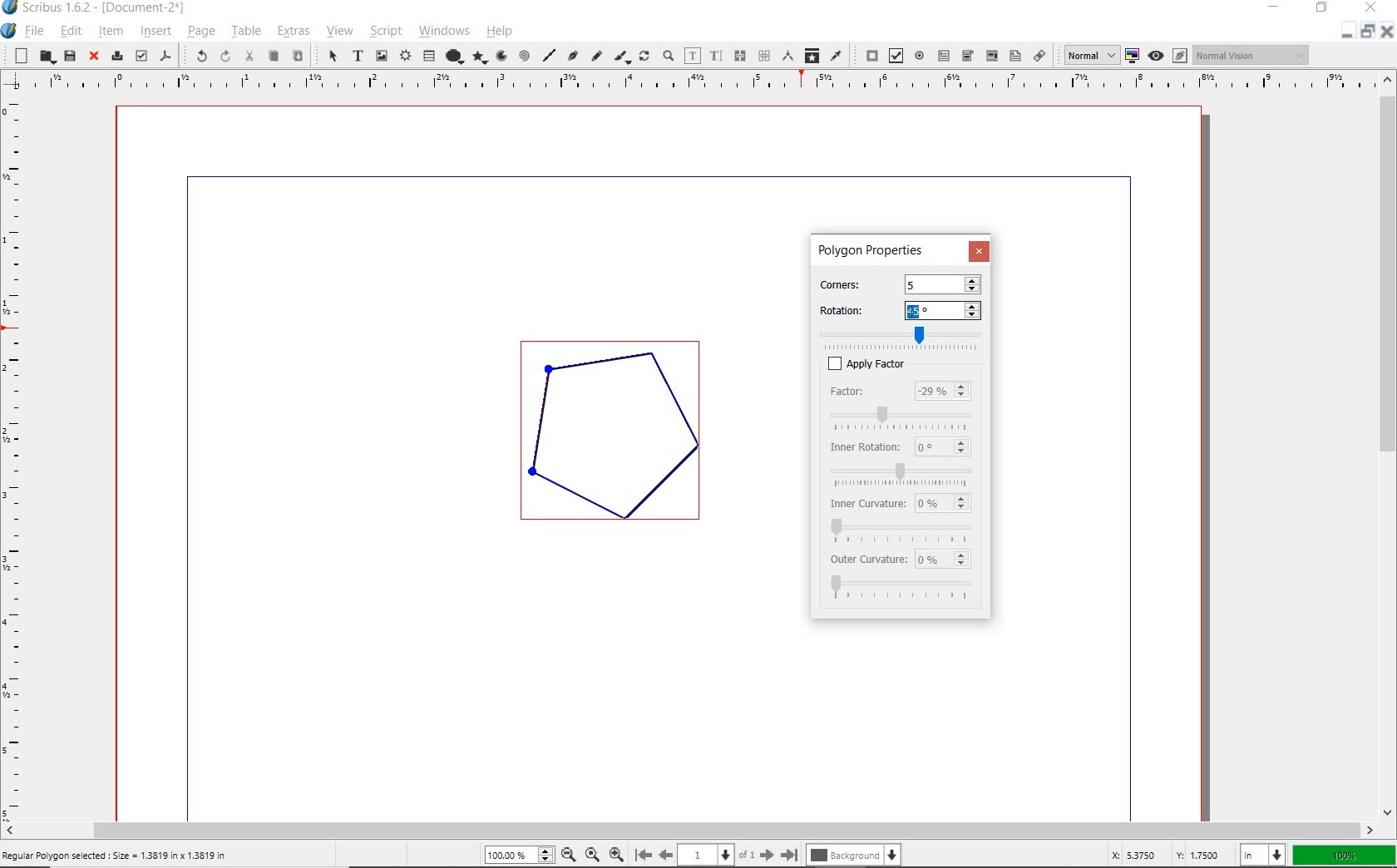  What do you see at coordinates (1086, 55) in the screenshot?
I see `select image preview quality` at bounding box center [1086, 55].